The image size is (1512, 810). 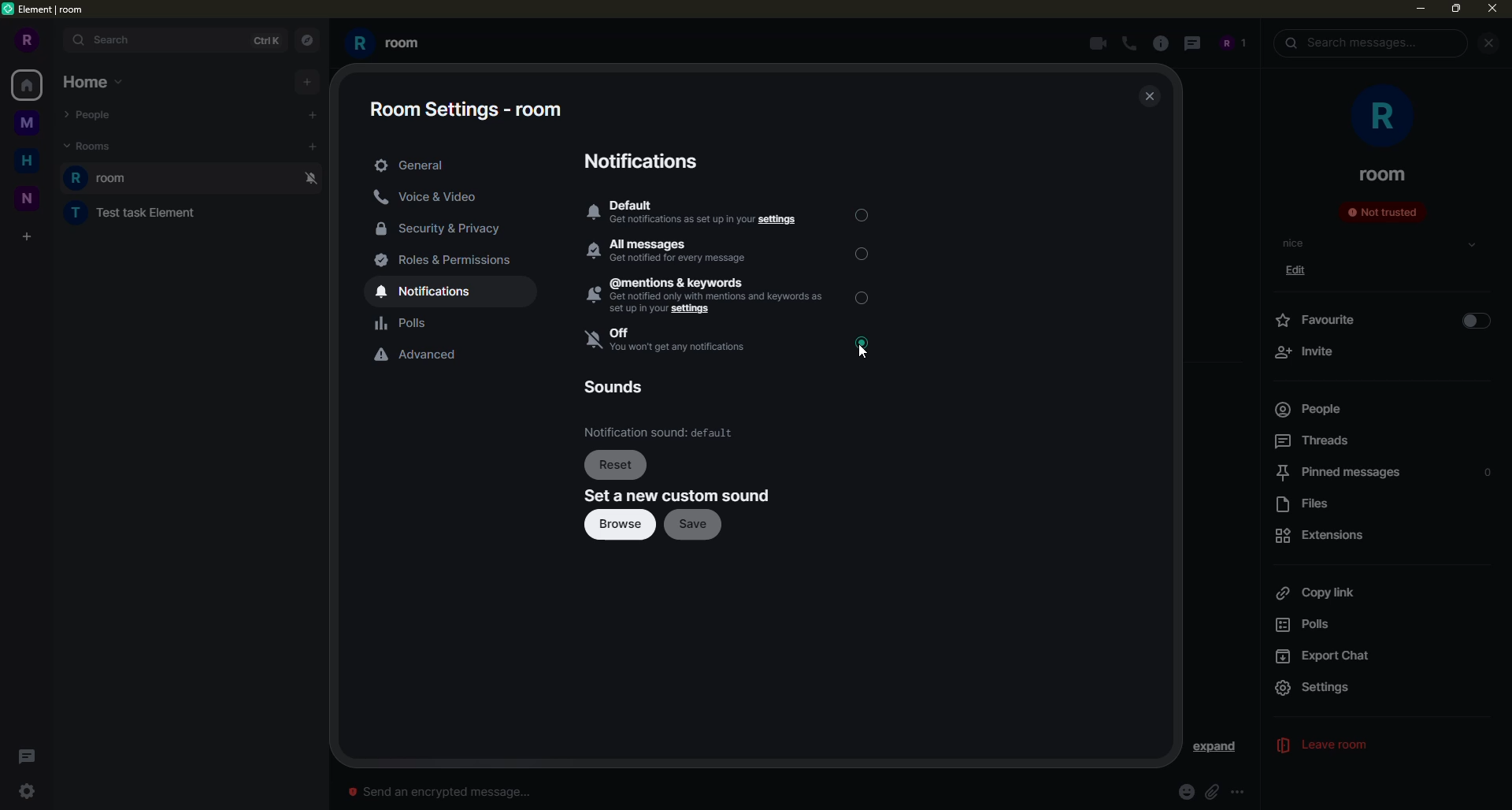 What do you see at coordinates (868, 347) in the screenshot?
I see `do not disturb selected` at bounding box center [868, 347].